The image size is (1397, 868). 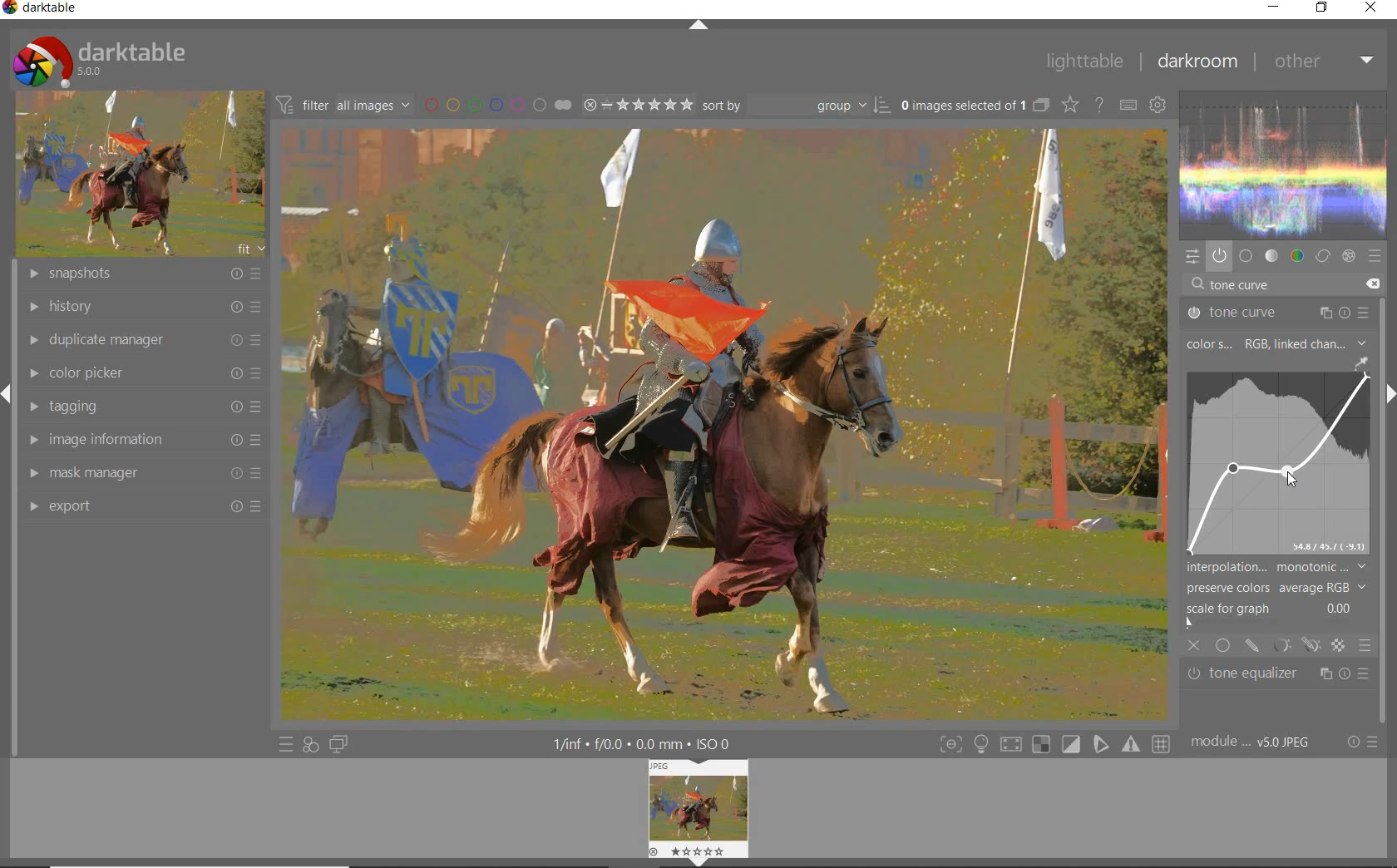 I want to click on tone equalizer, so click(x=1279, y=674).